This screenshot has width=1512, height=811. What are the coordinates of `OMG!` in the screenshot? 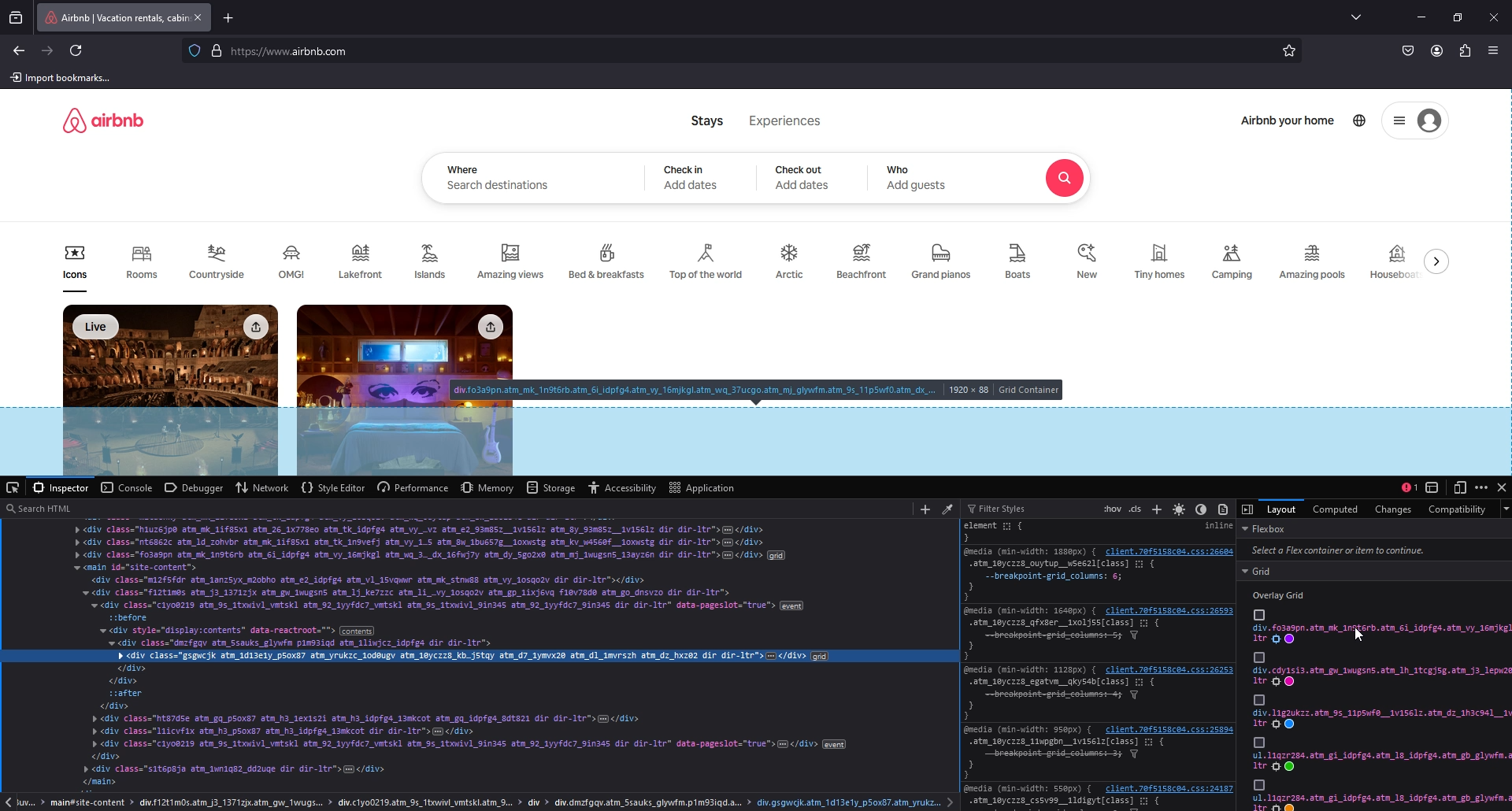 It's located at (295, 262).